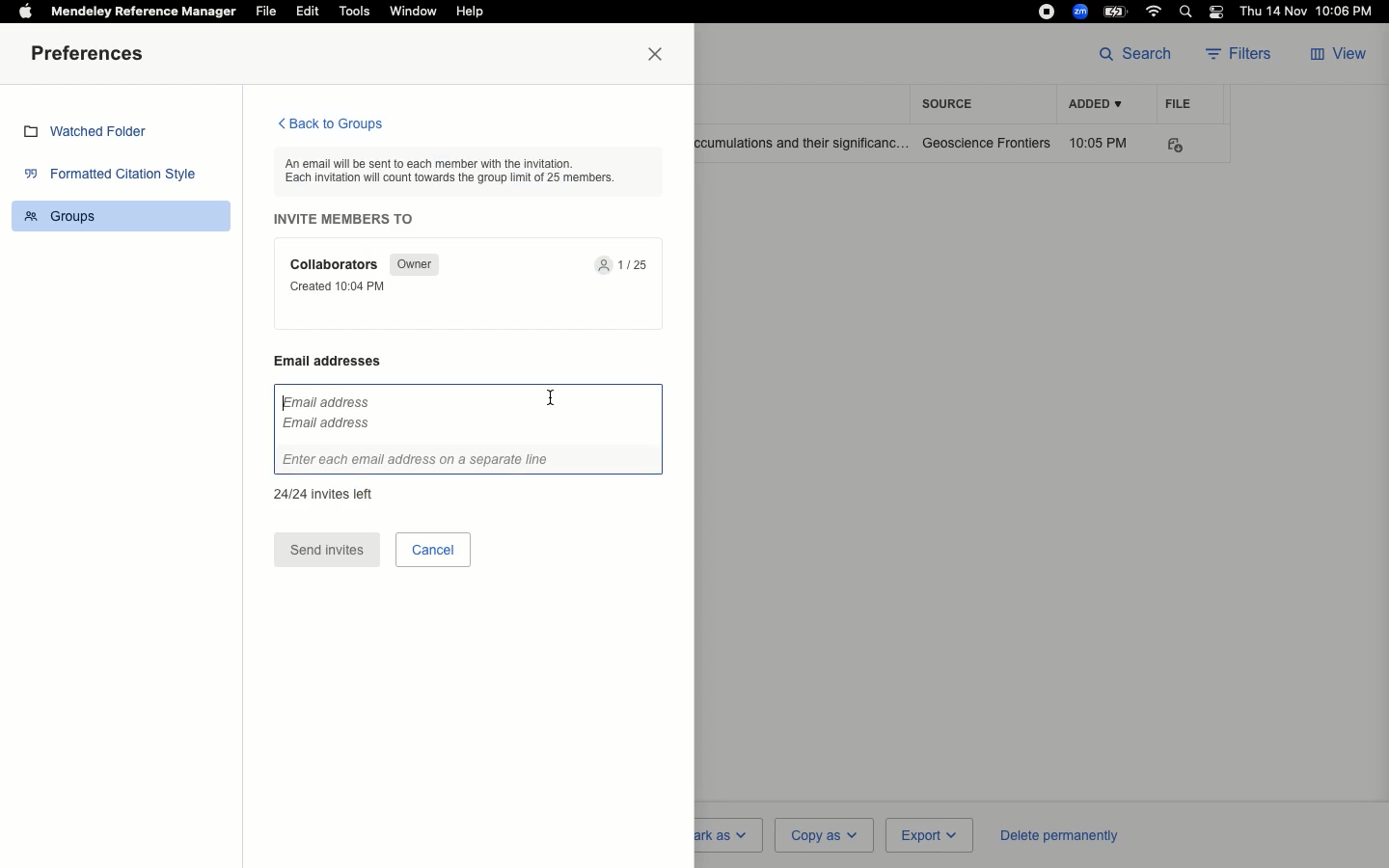  What do you see at coordinates (1094, 105) in the screenshot?
I see `Added` at bounding box center [1094, 105].